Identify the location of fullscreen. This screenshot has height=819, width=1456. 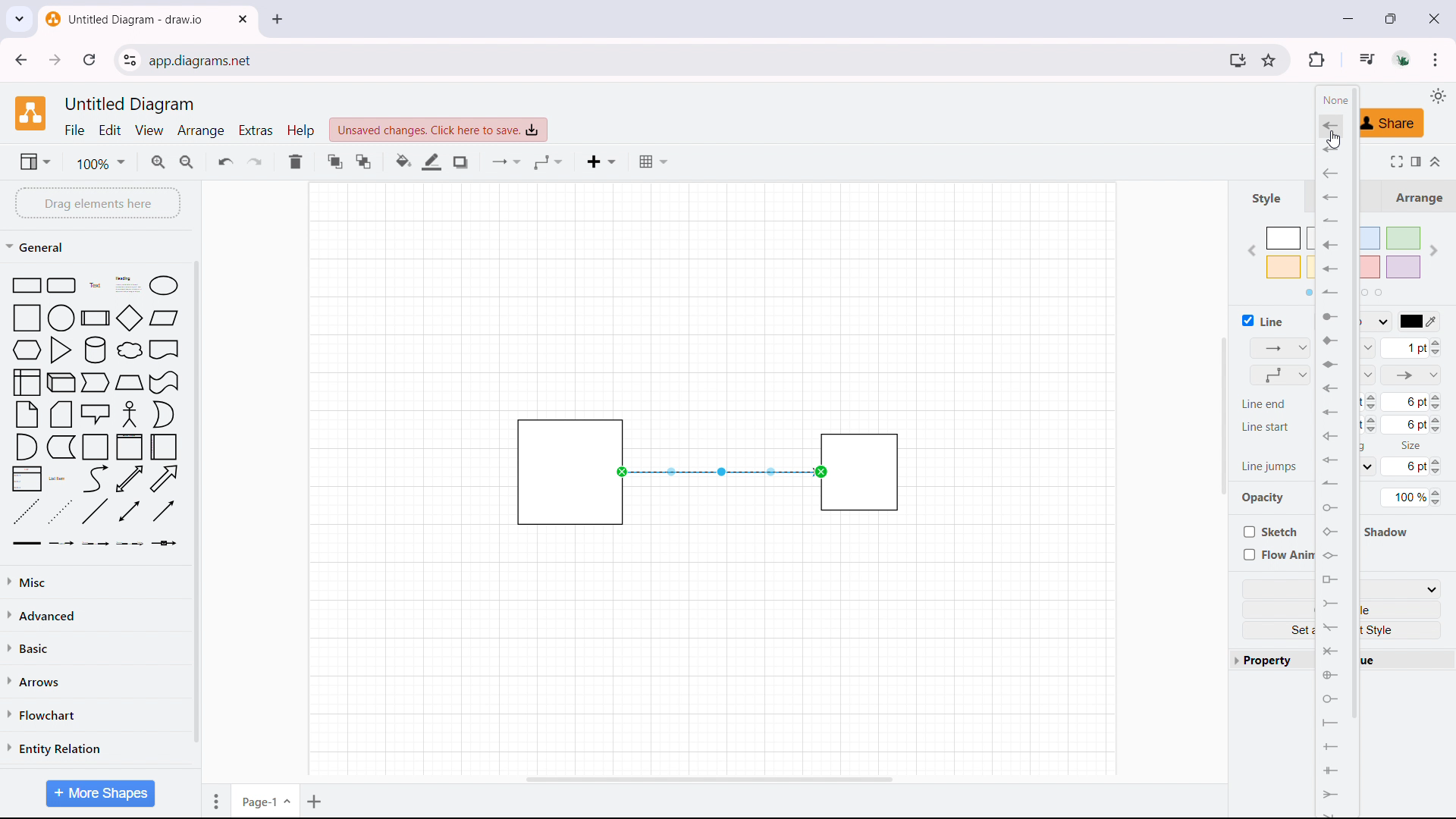
(1394, 161).